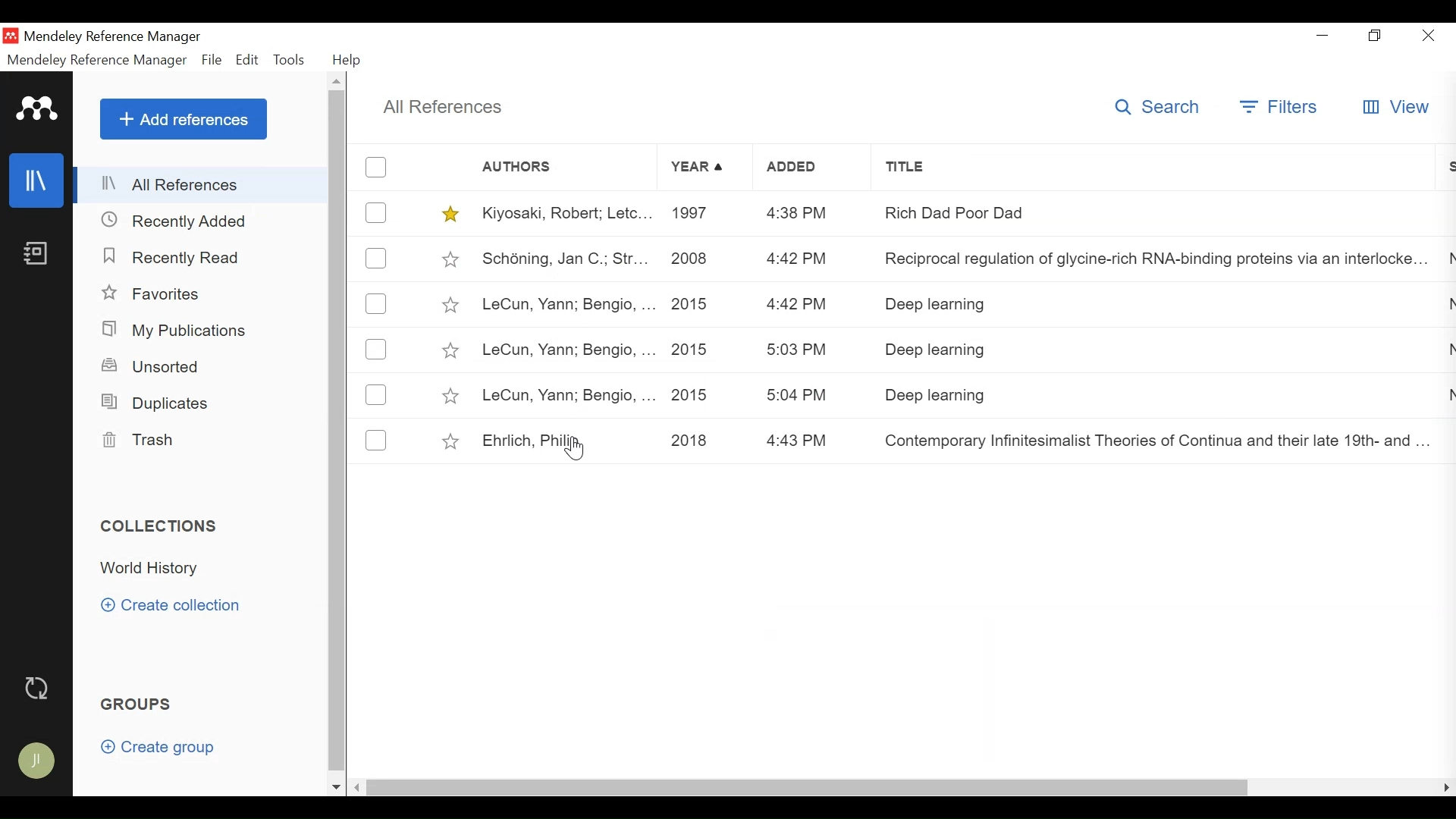  Describe the element at coordinates (1149, 351) in the screenshot. I see `Deep learning` at that location.